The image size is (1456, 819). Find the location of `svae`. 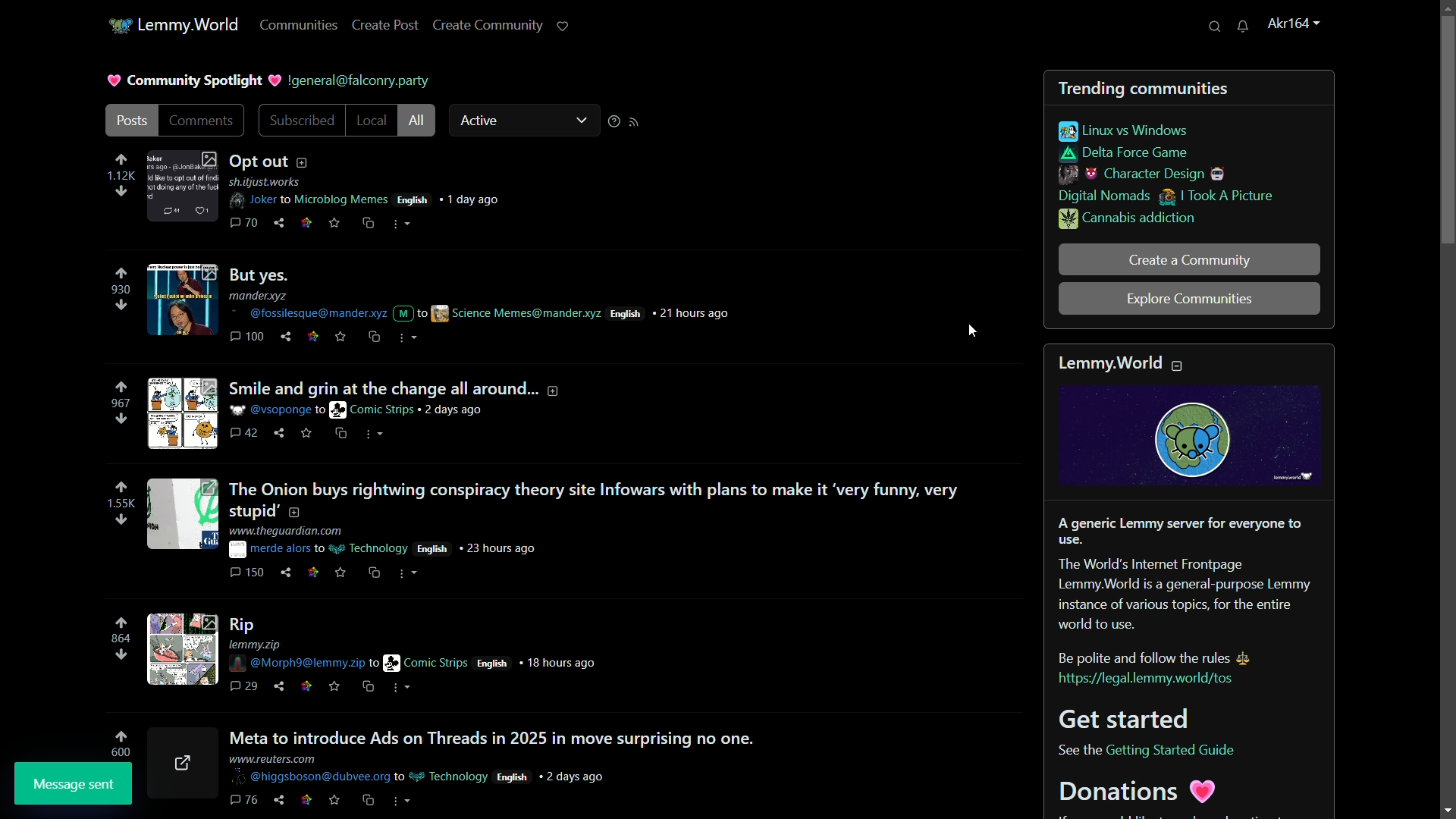

svae is located at coordinates (335, 224).